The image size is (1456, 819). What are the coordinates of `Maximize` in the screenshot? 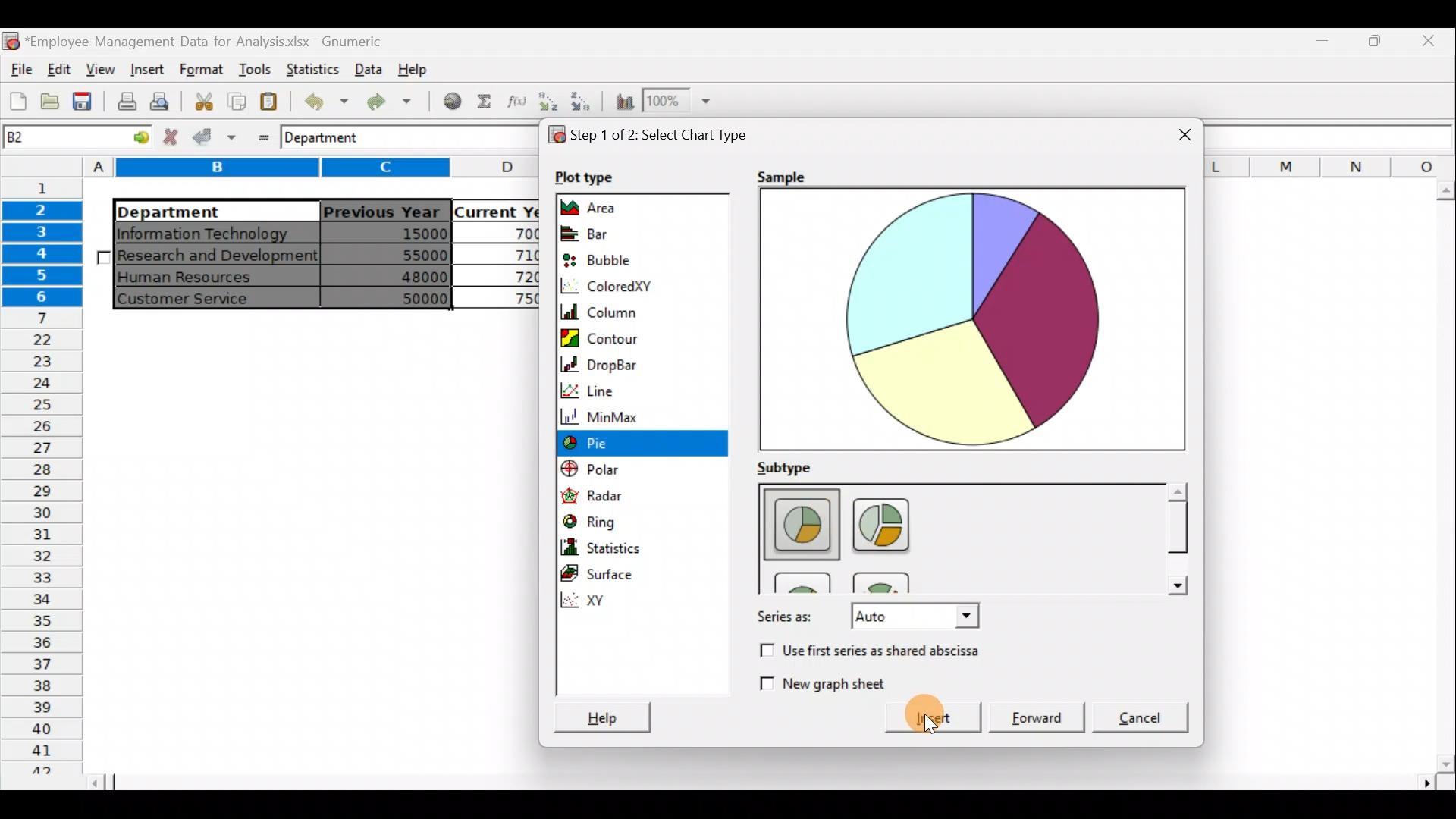 It's located at (1328, 43).